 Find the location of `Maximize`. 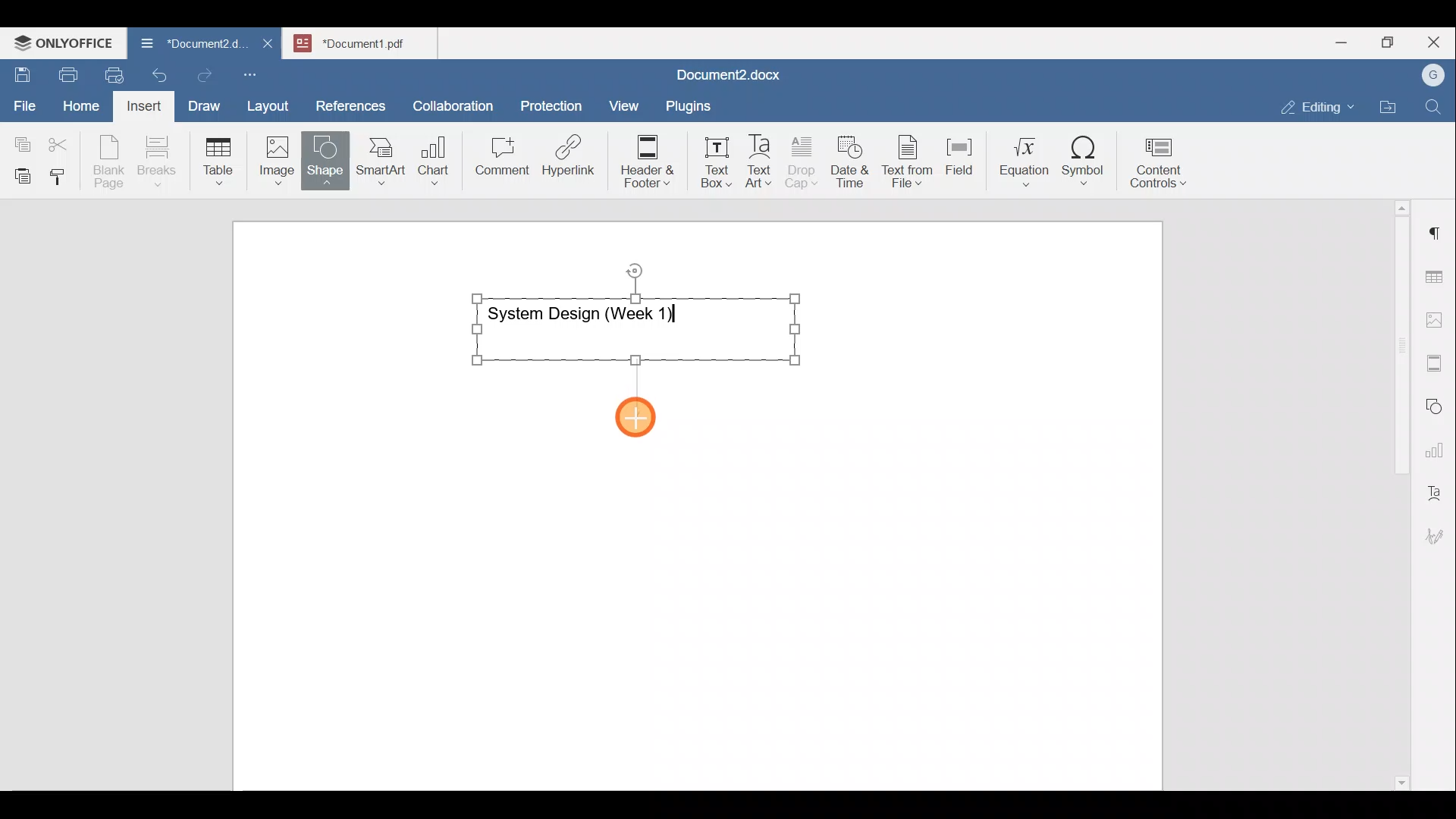

Maximize is located at coordinates (1392, 42).